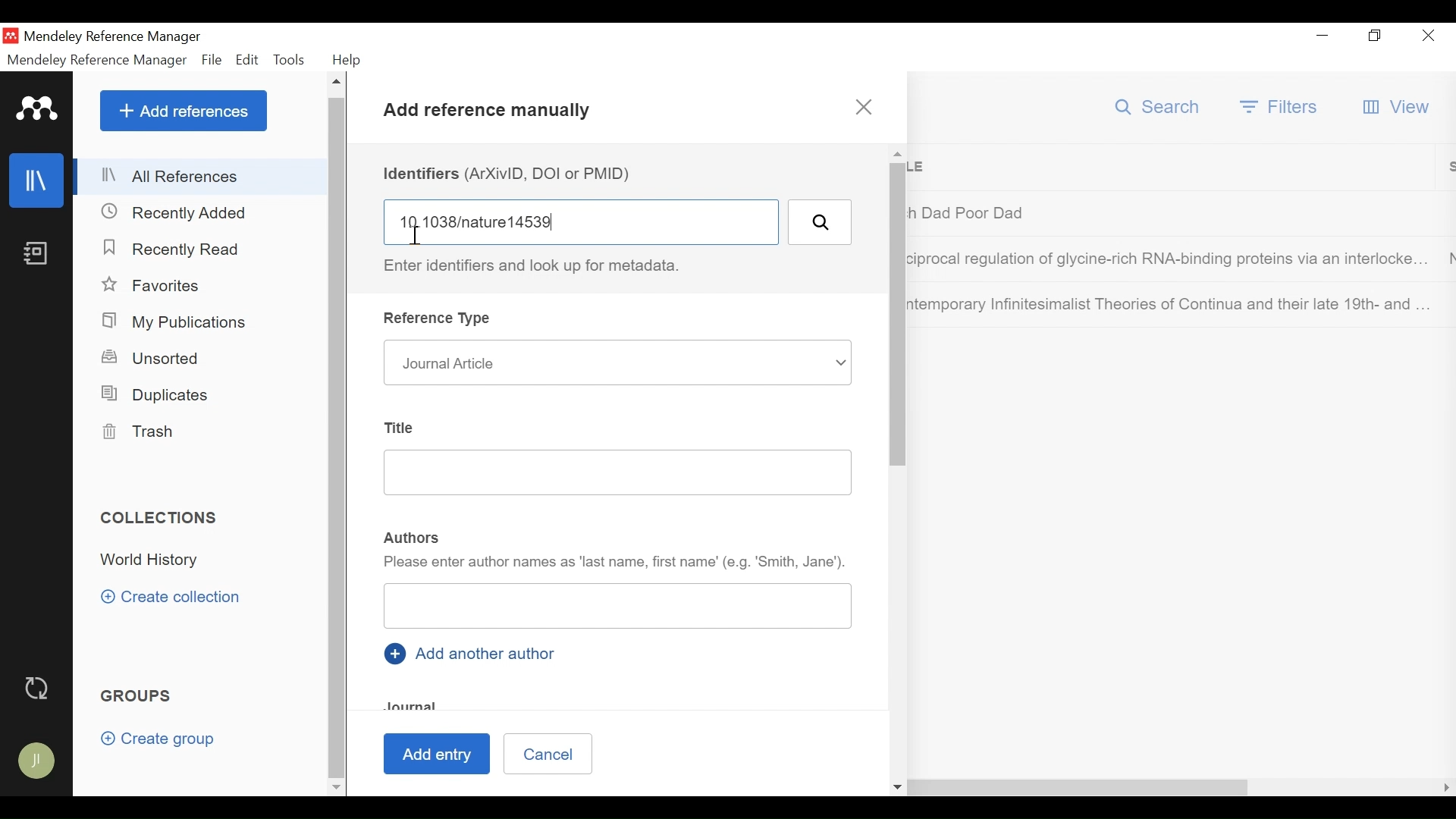  I want to click on Add references manually, so click(492, 113).